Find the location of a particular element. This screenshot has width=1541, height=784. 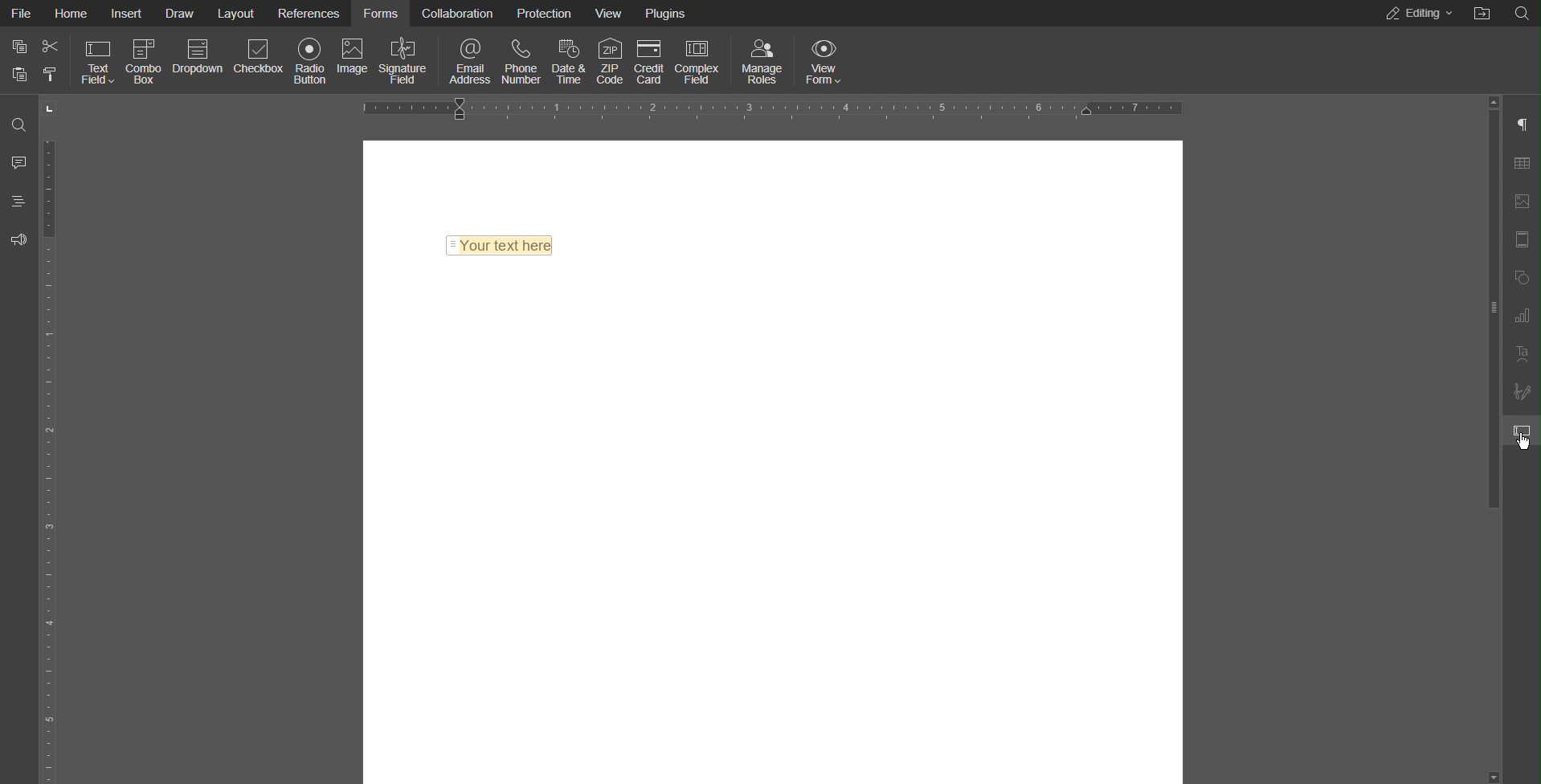

Date & Time is located at coordinates (570, 59).